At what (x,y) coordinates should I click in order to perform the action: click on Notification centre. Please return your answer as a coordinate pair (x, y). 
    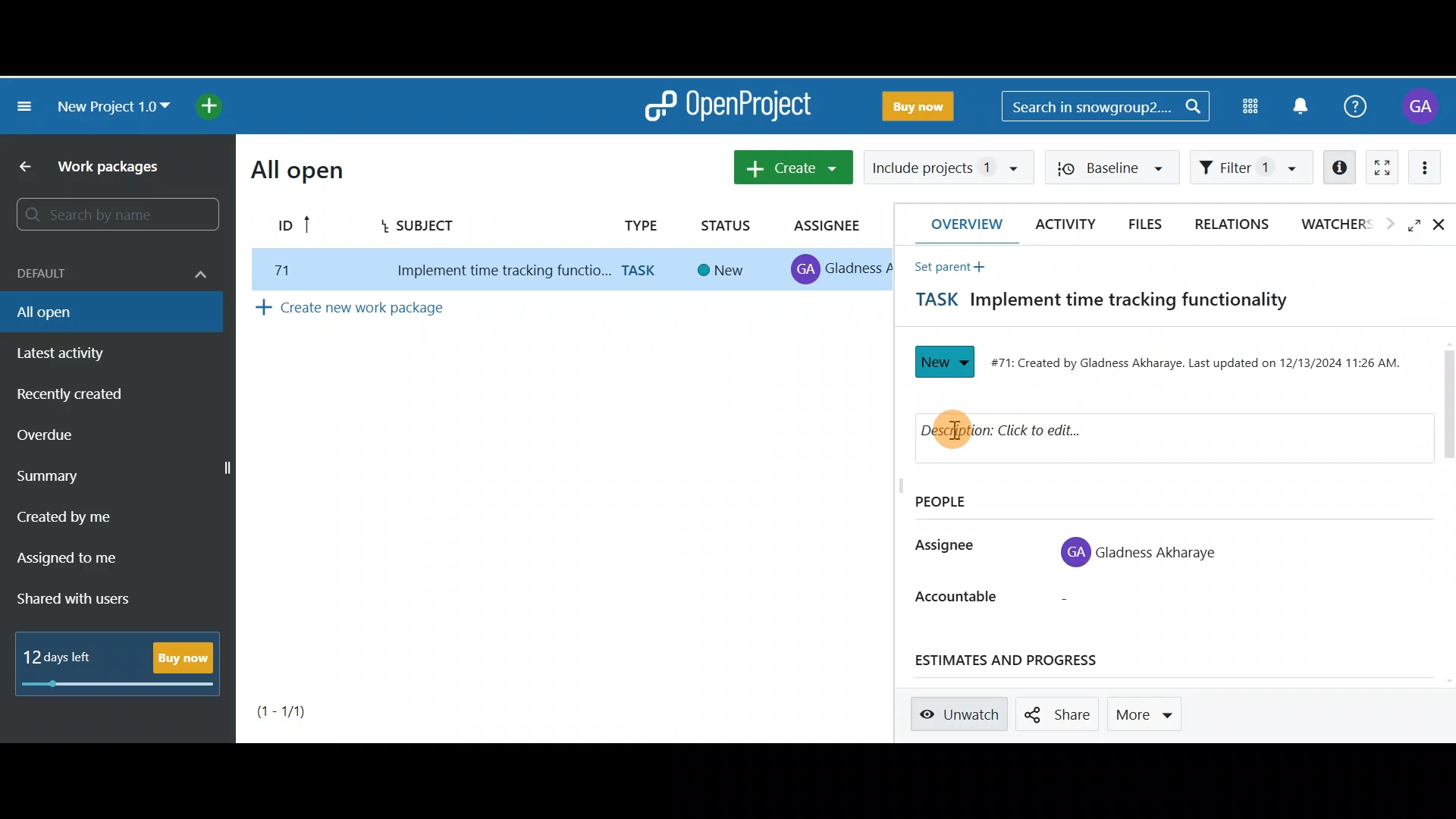
    Looking at the image, I should click on (1310, 105).